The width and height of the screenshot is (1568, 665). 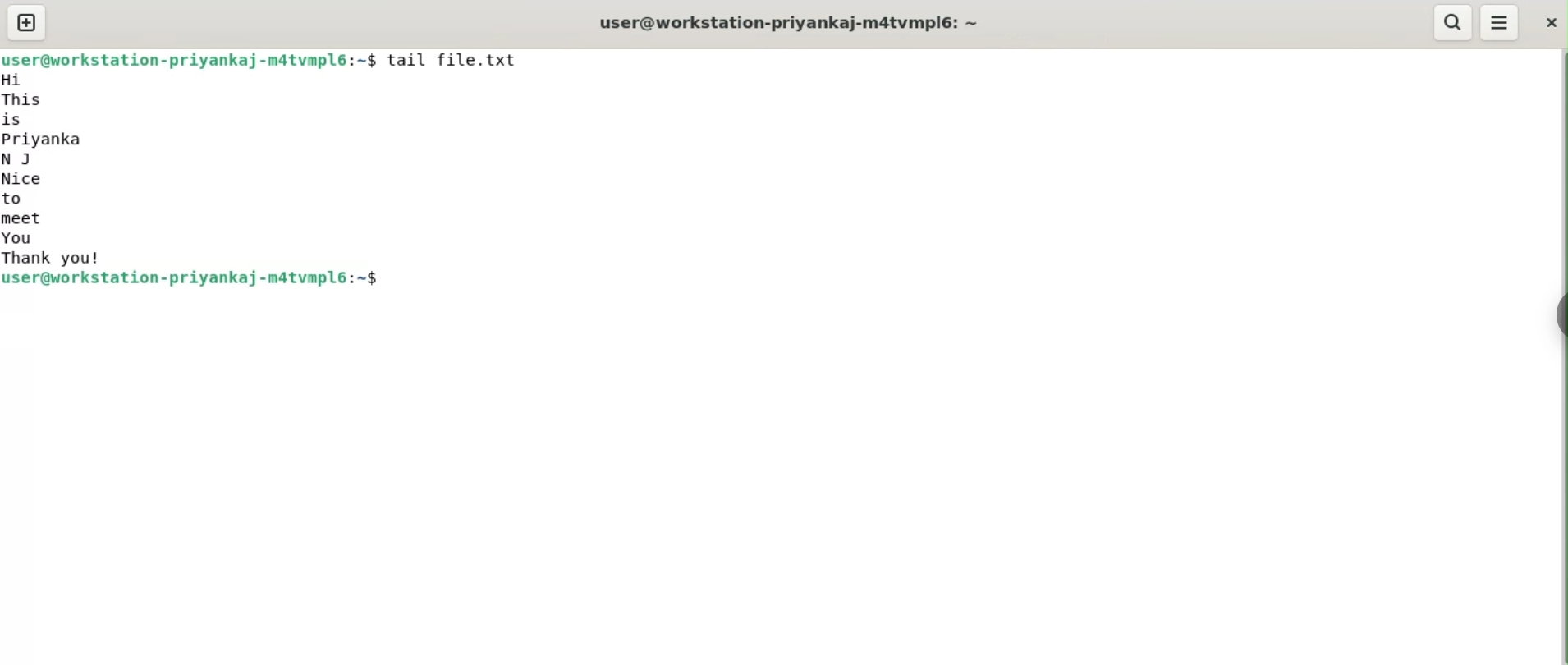 What do you see at coordinates (197, 282) in the screenshot?
I see ` shell prompt: user@workstation-shauryas-m4tnoozx:~$ ` at bounding box center [197, 282].